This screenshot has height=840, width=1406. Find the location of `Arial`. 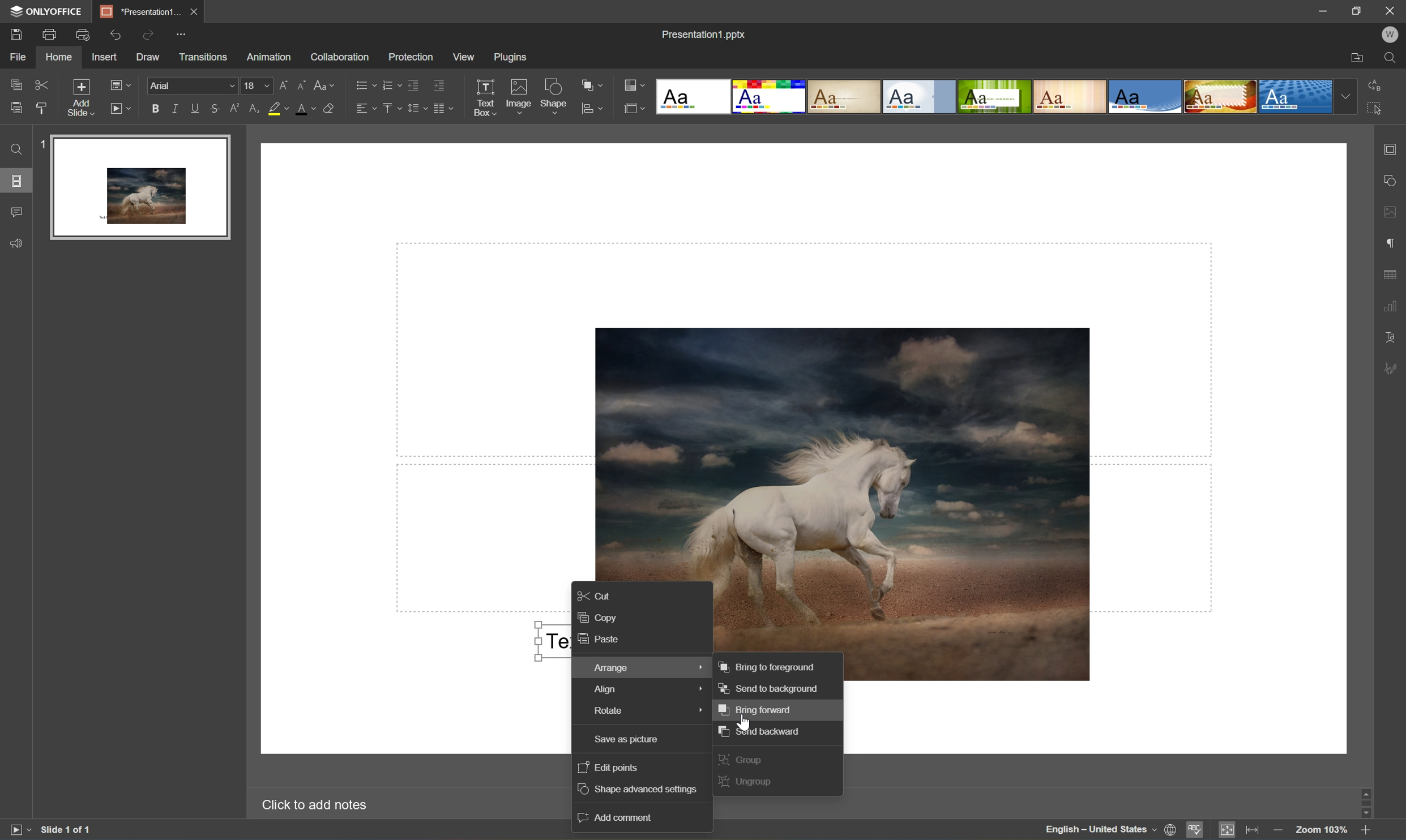

Arial is located at coordinates (189, 87).